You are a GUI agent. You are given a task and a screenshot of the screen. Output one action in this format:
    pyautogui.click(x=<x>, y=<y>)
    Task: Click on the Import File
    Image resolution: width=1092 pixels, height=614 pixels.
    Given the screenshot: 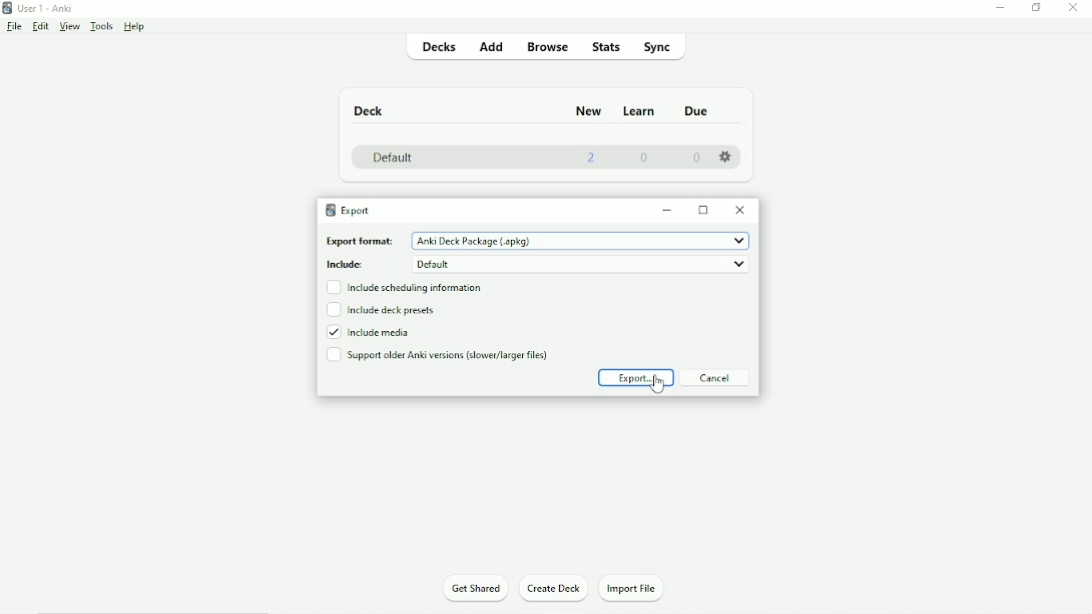 What is the action you would take?
    pyautogui.click(x=631, y=588)
    